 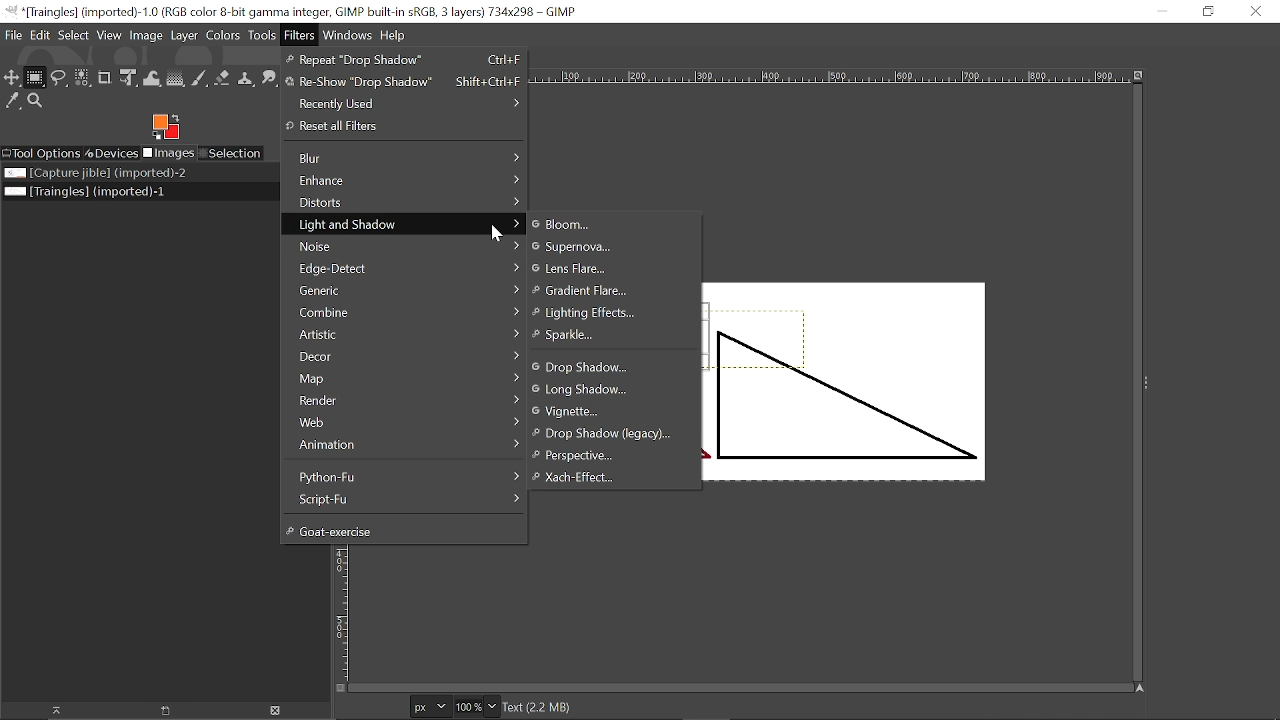 What do you see at coordinates (585, 270) in the screenshot?
I see `Lens Flare` at bounding box center [585, 270].